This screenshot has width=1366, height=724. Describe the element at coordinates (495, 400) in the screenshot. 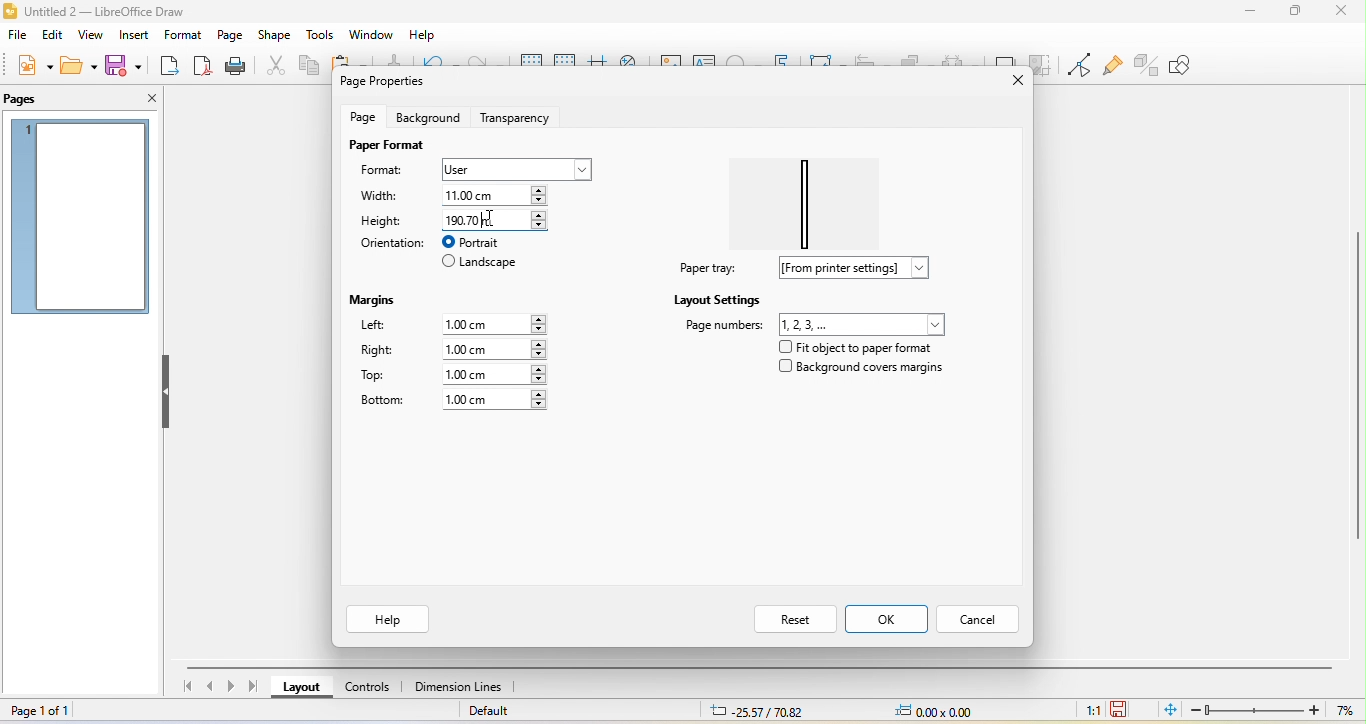

I see `1.00 cm` at that location.